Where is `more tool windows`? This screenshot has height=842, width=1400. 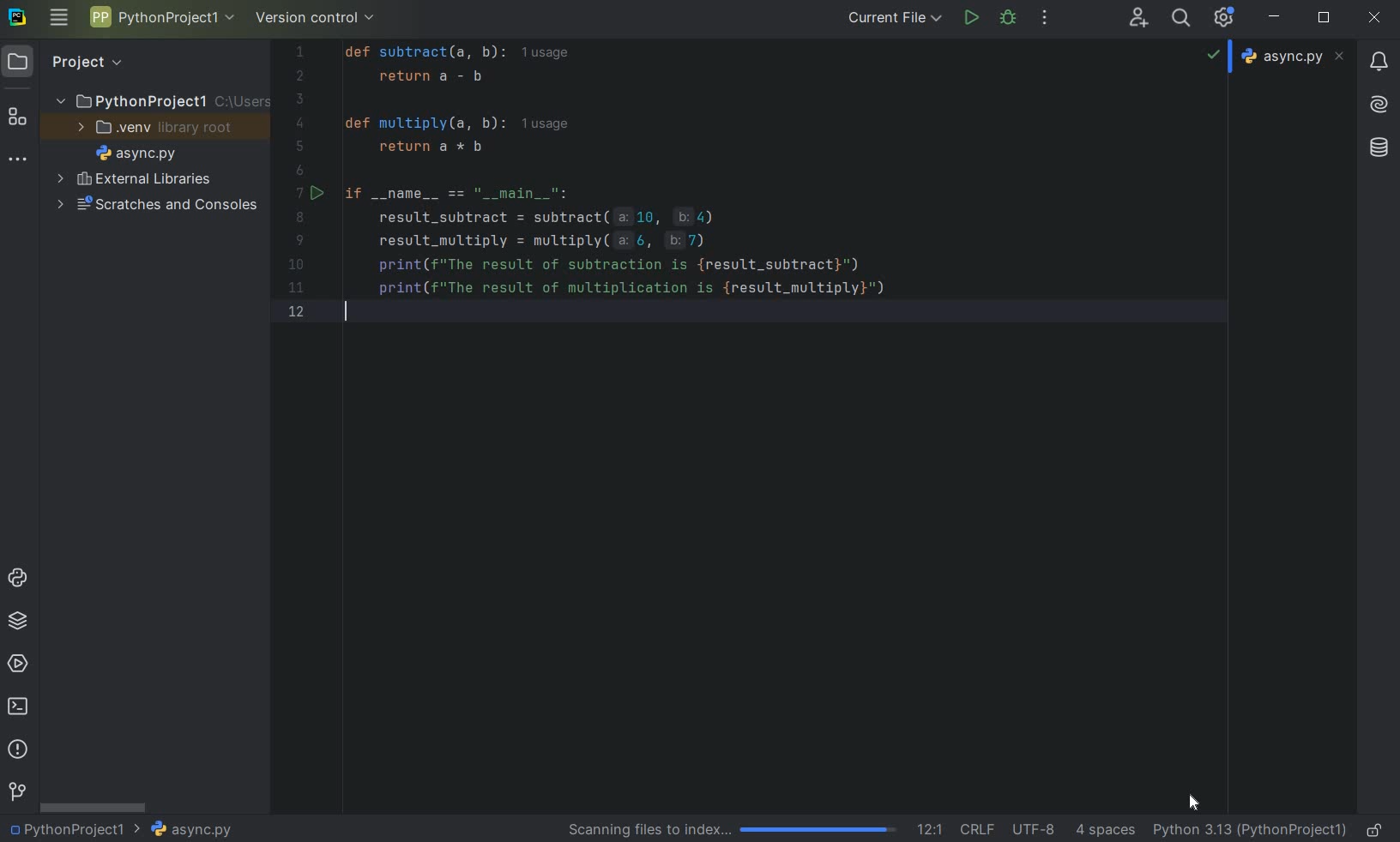 more tool windows is located at coordinates (18, 162).